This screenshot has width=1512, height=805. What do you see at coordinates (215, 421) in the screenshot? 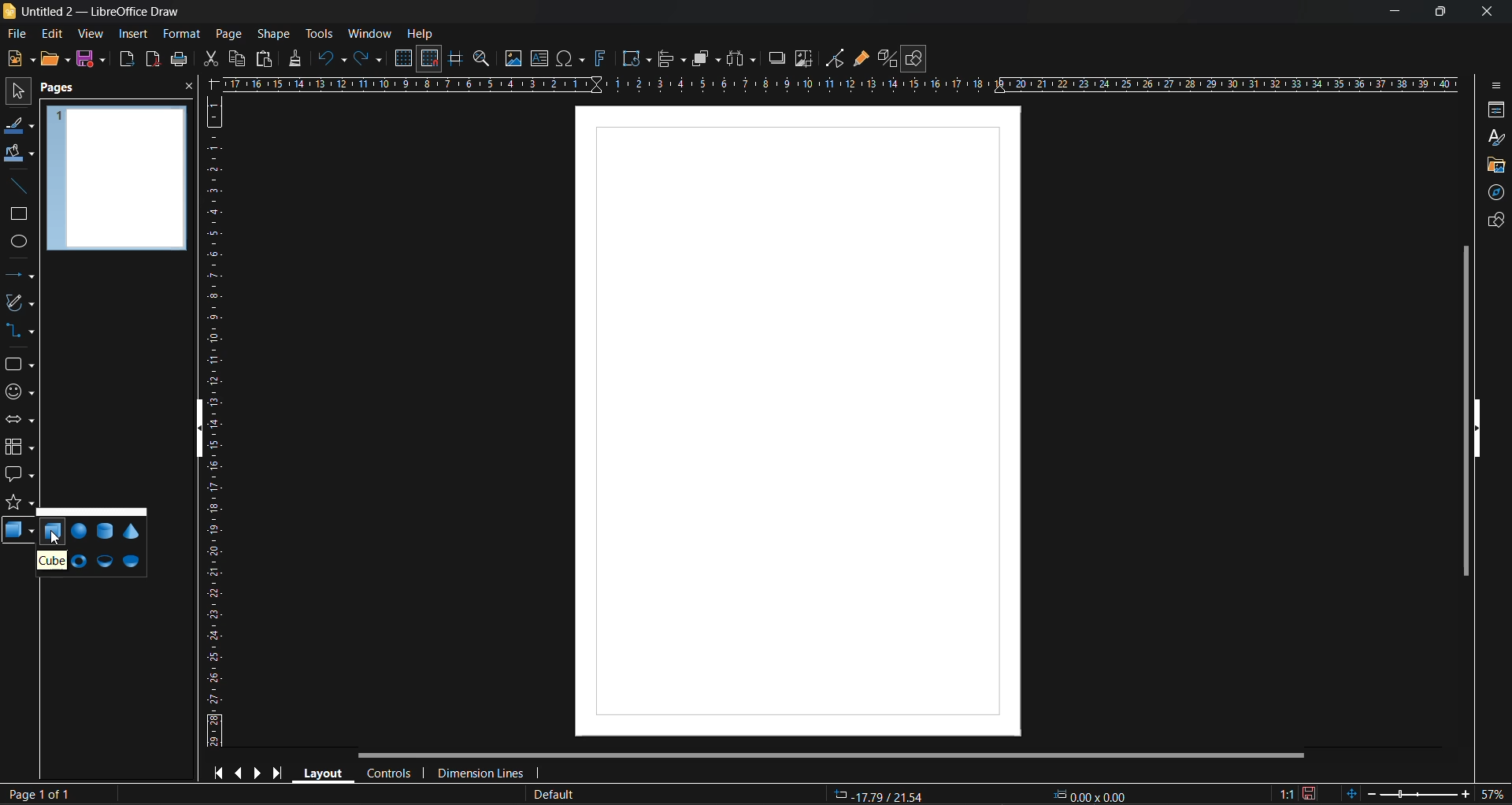
I see `vertical ruler` at bounding box center [215, 421].